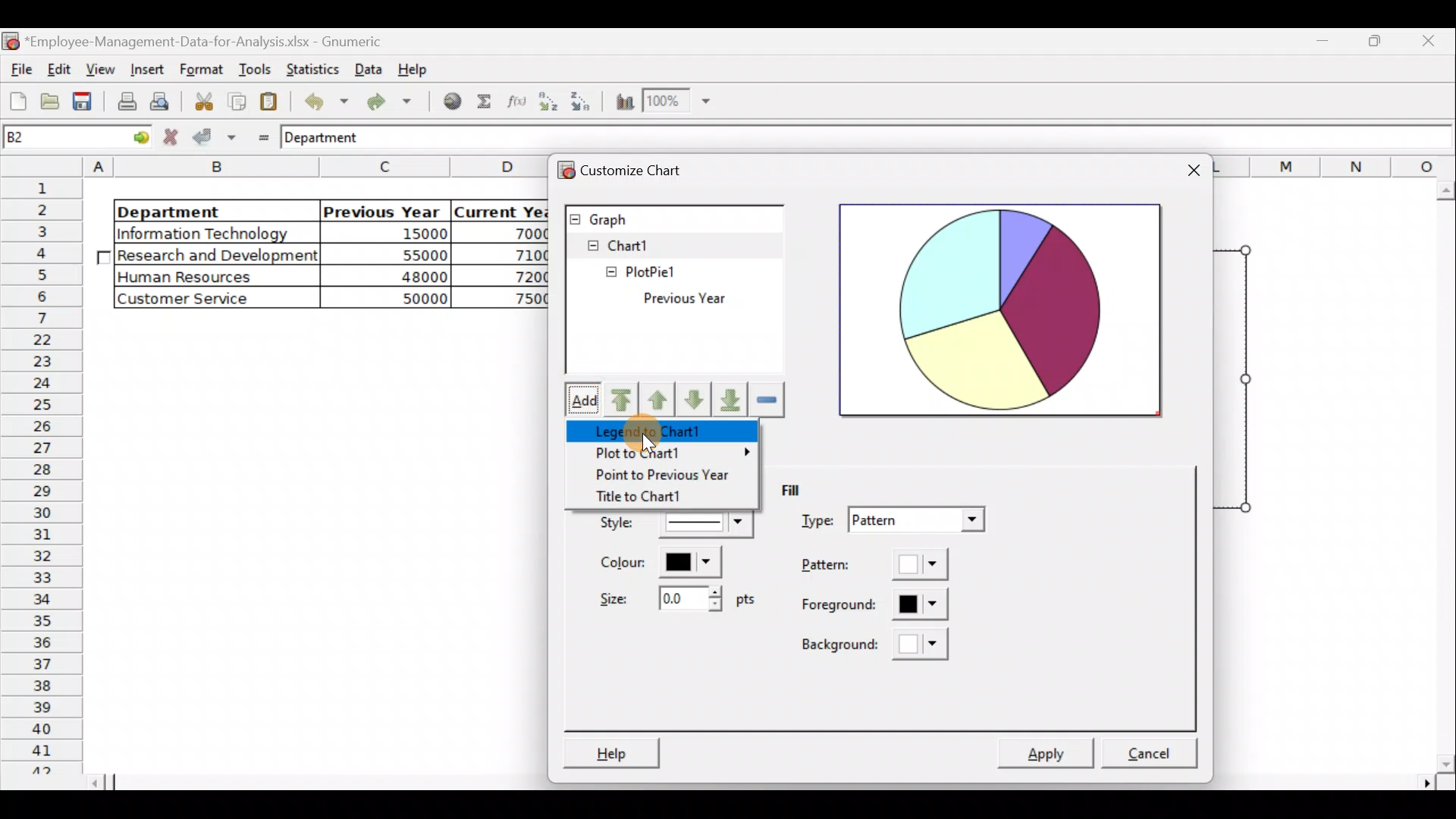 The image size is (1456, 819). What do you see at coordinates (313, 68) in the screenshot?
I see `Statistics` at bounding box center [313, 68].